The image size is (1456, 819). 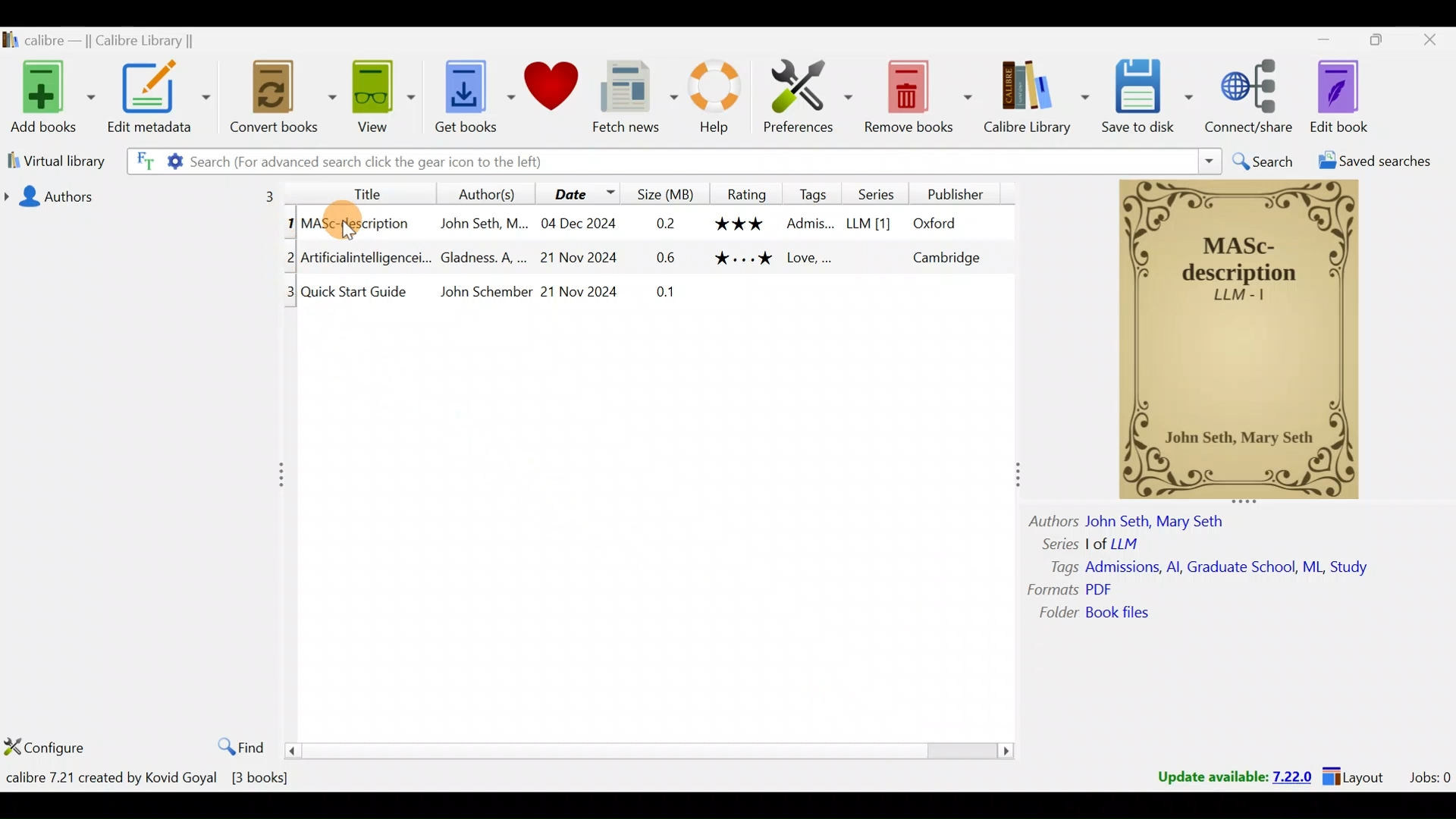 What do you see at coordinates (482, 224) in the screenshot?
I see `` at bounding box center [482, 224].